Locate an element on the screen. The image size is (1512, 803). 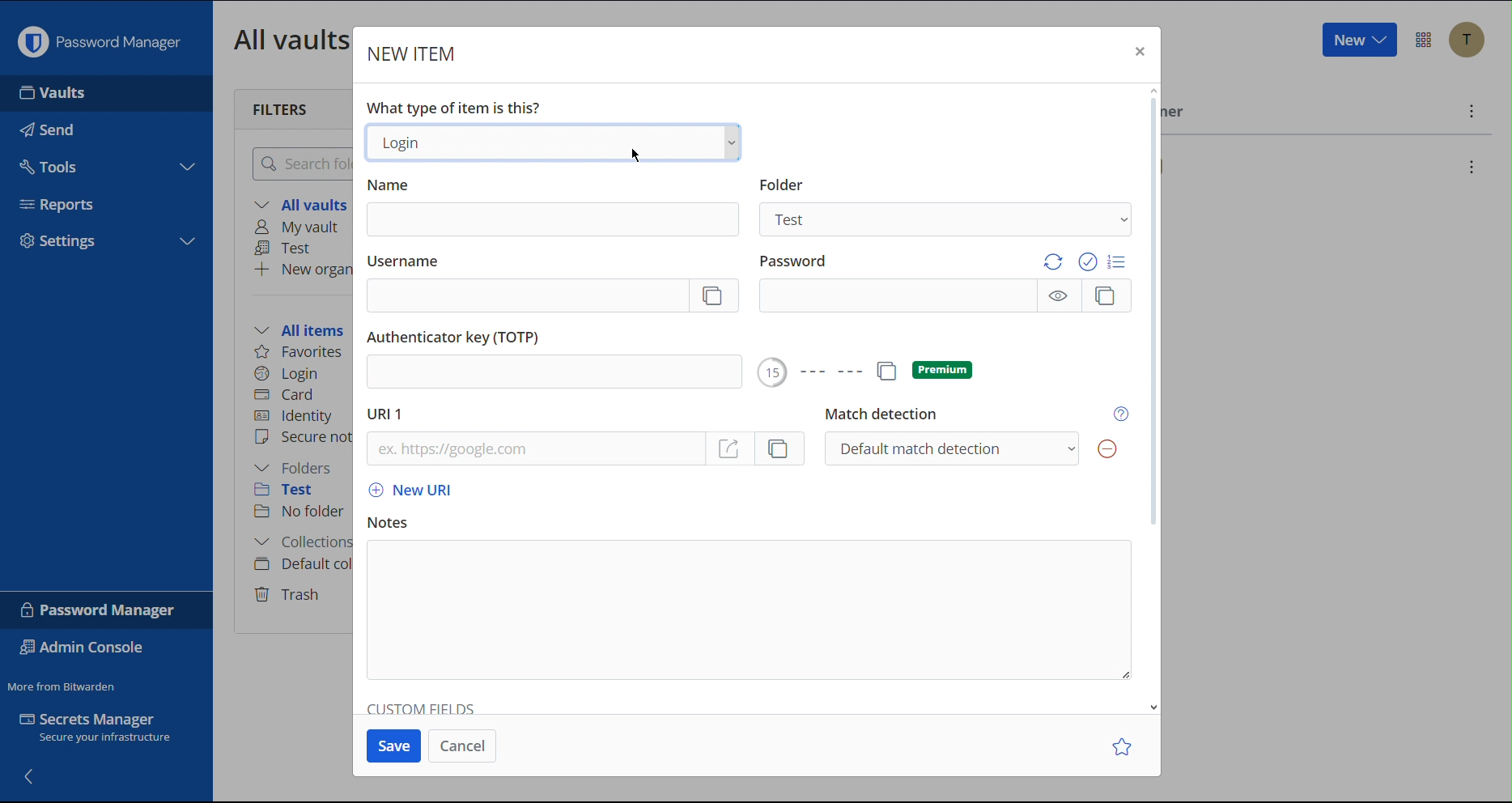
What type of item is this is located at coordinates (452, 108).